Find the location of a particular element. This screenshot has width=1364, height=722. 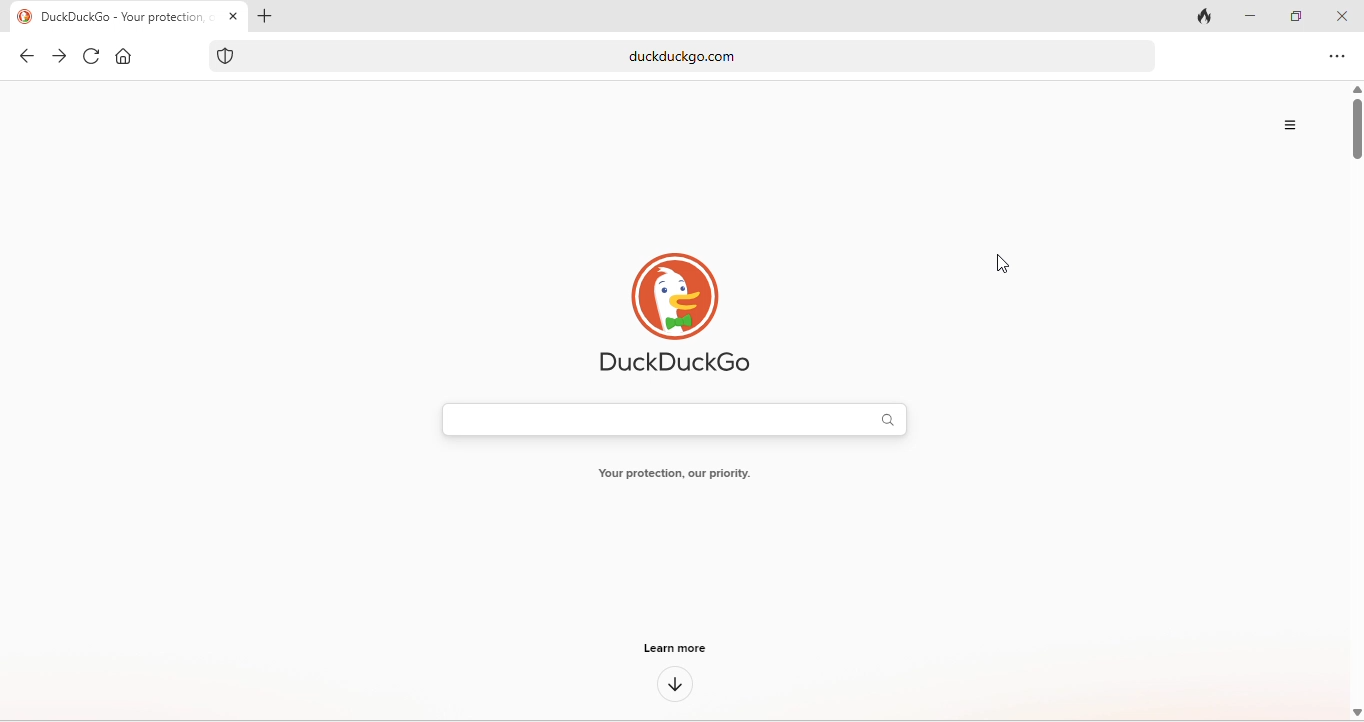

search bar is located at coordinates (679, 420).